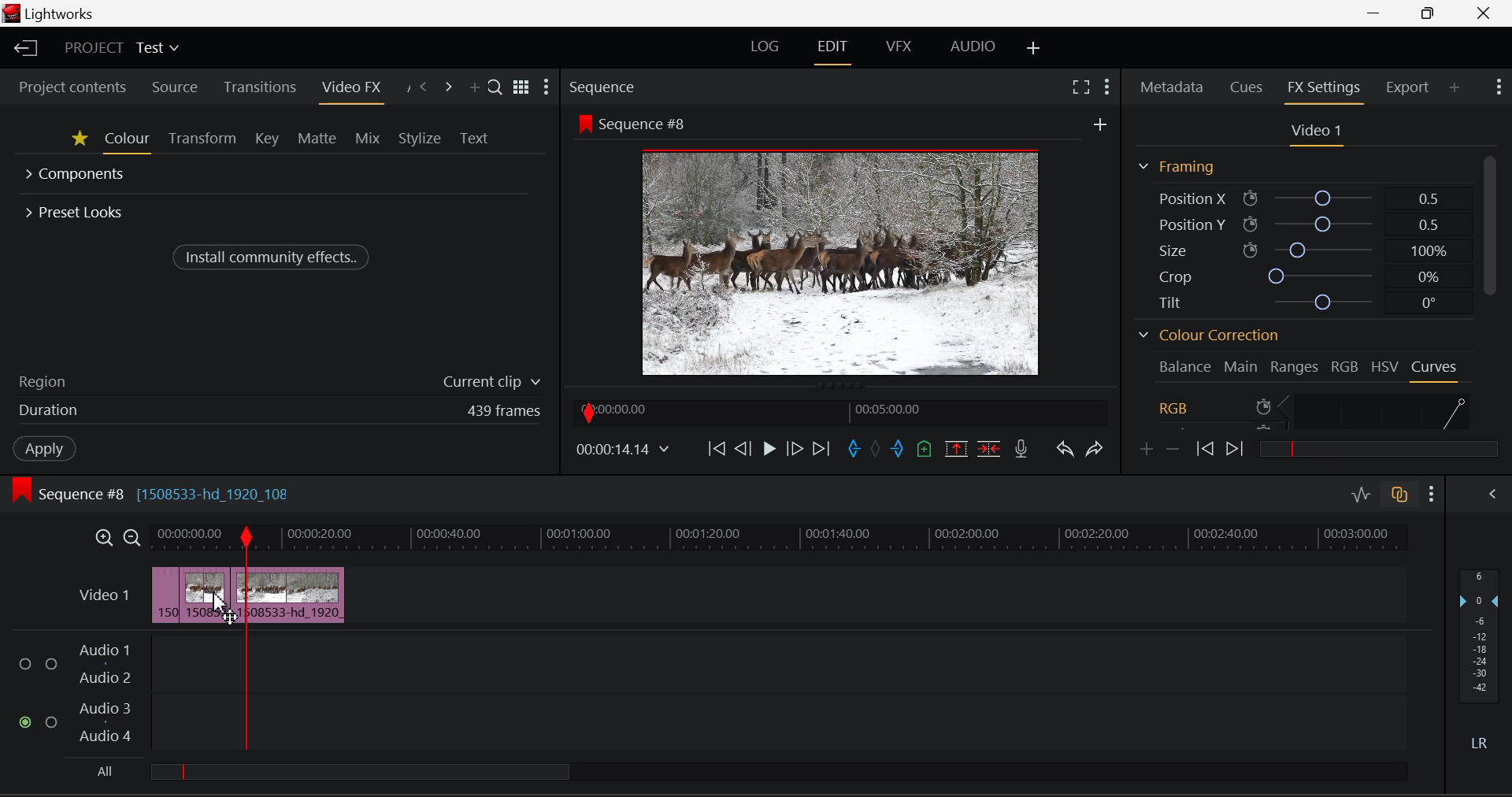  Describe the element at coordinates (1399, 498) in the screenshot. I see `Toggle audio track sync` at that location.